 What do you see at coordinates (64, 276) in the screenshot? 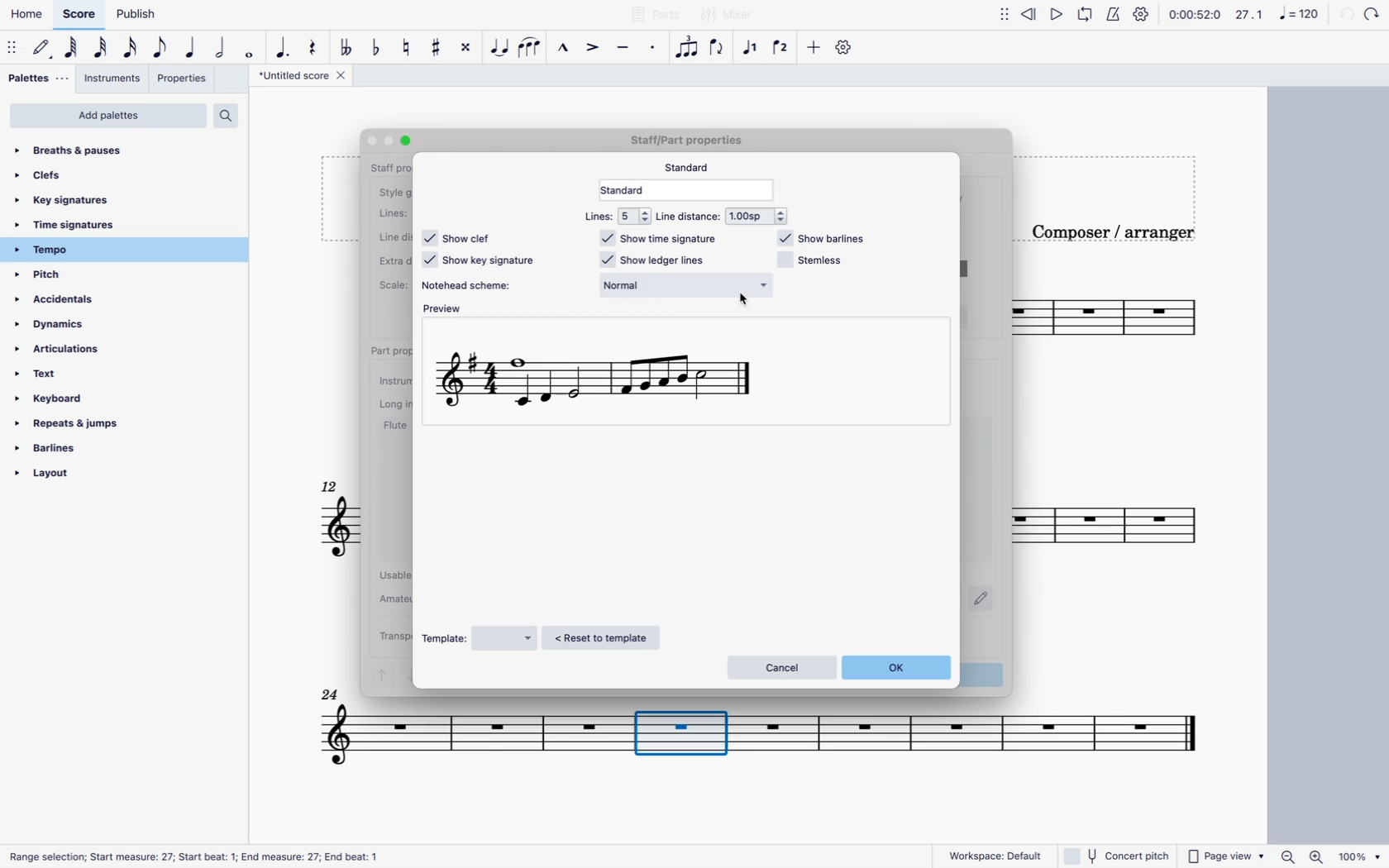
I see `pitch` at bounding box center [64, 276].